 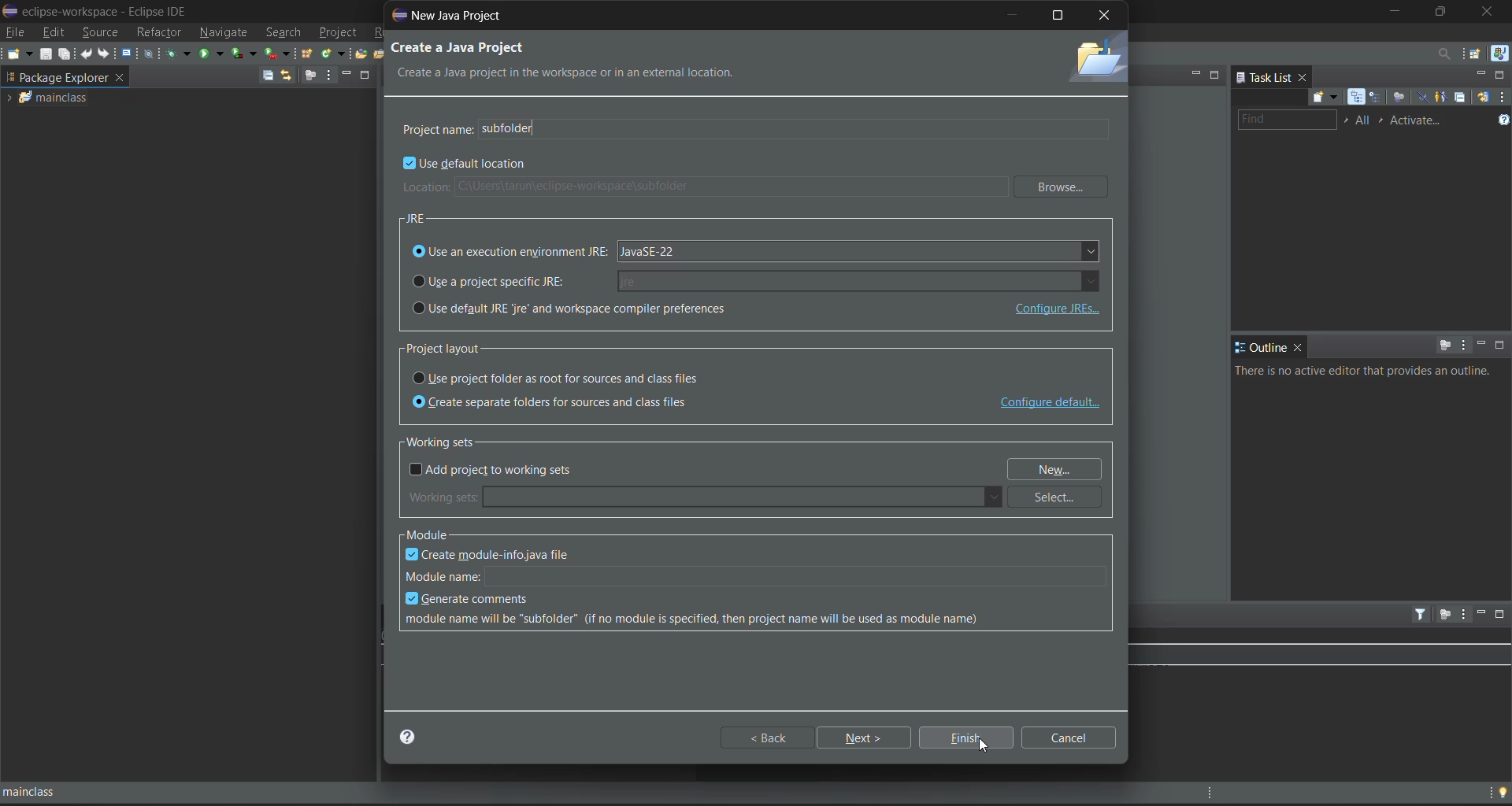 What do you see at coordinates (1443, 12) in the screenshot?
I see `maximize` at bounding box center [1443, 12].